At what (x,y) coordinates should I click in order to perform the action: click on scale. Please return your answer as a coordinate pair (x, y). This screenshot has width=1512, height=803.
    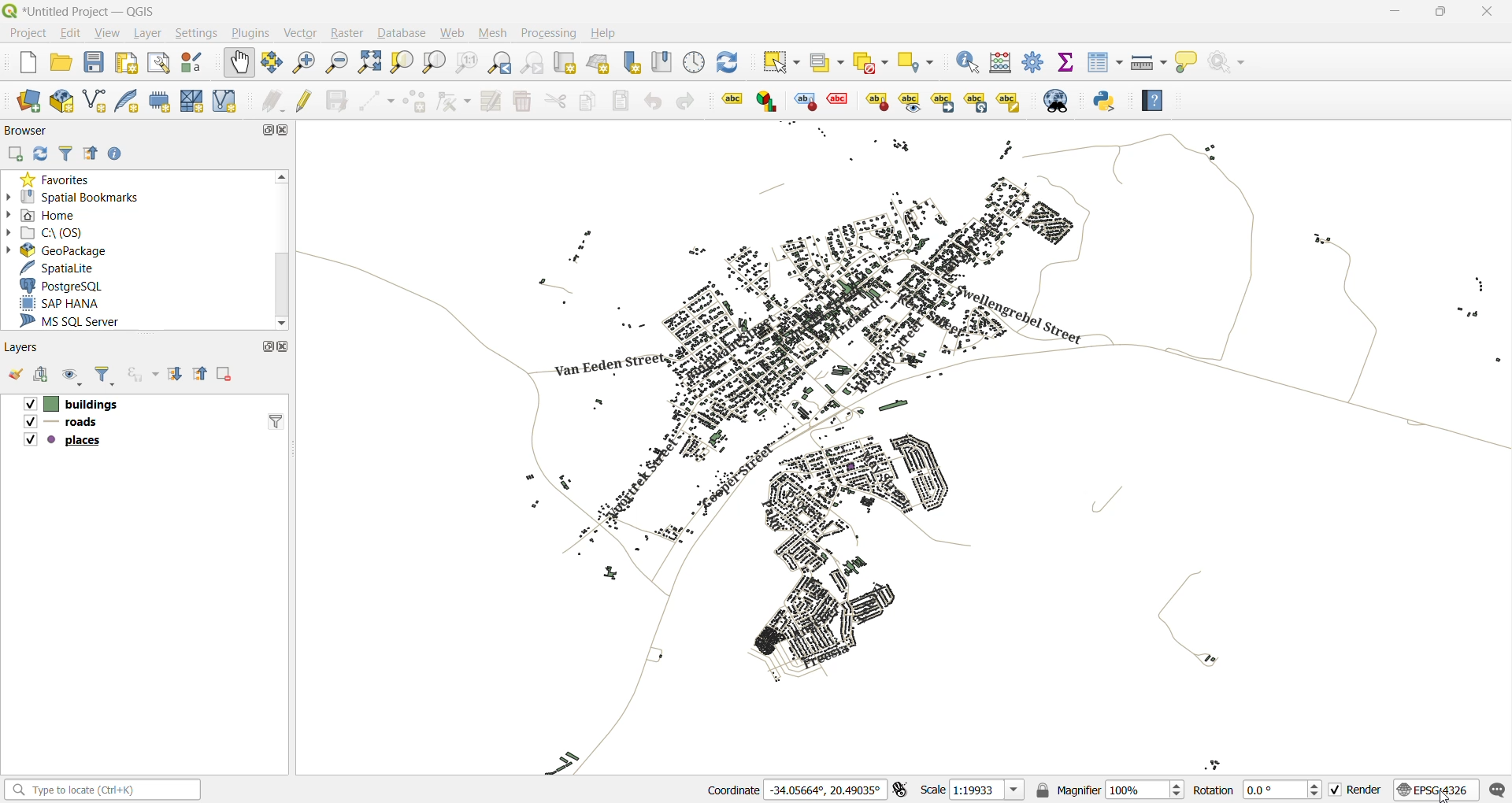
    Looking at the image, I should click on (973, 789).